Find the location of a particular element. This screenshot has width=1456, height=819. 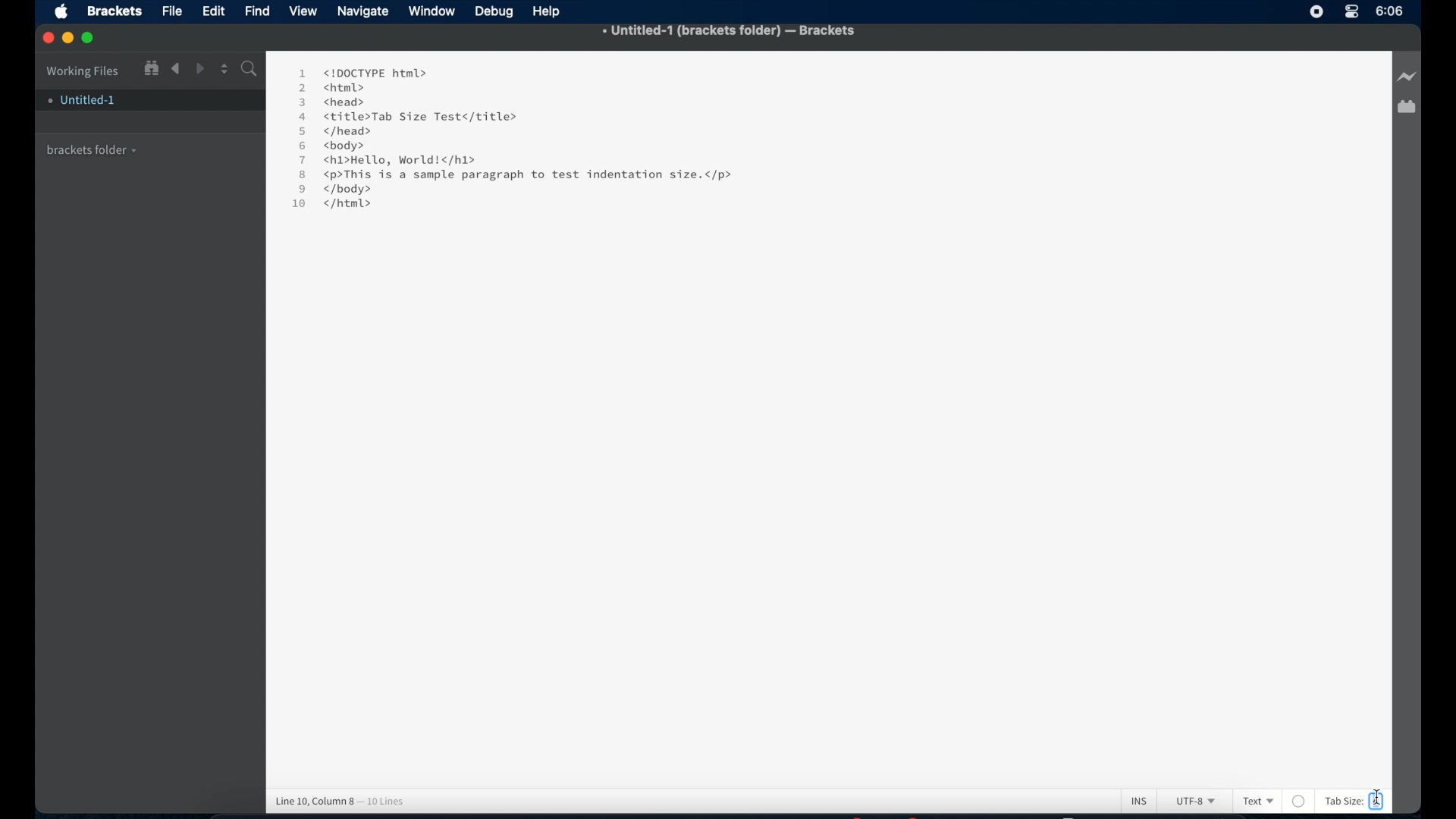

Zoom in is located at coordinates (150, 67).